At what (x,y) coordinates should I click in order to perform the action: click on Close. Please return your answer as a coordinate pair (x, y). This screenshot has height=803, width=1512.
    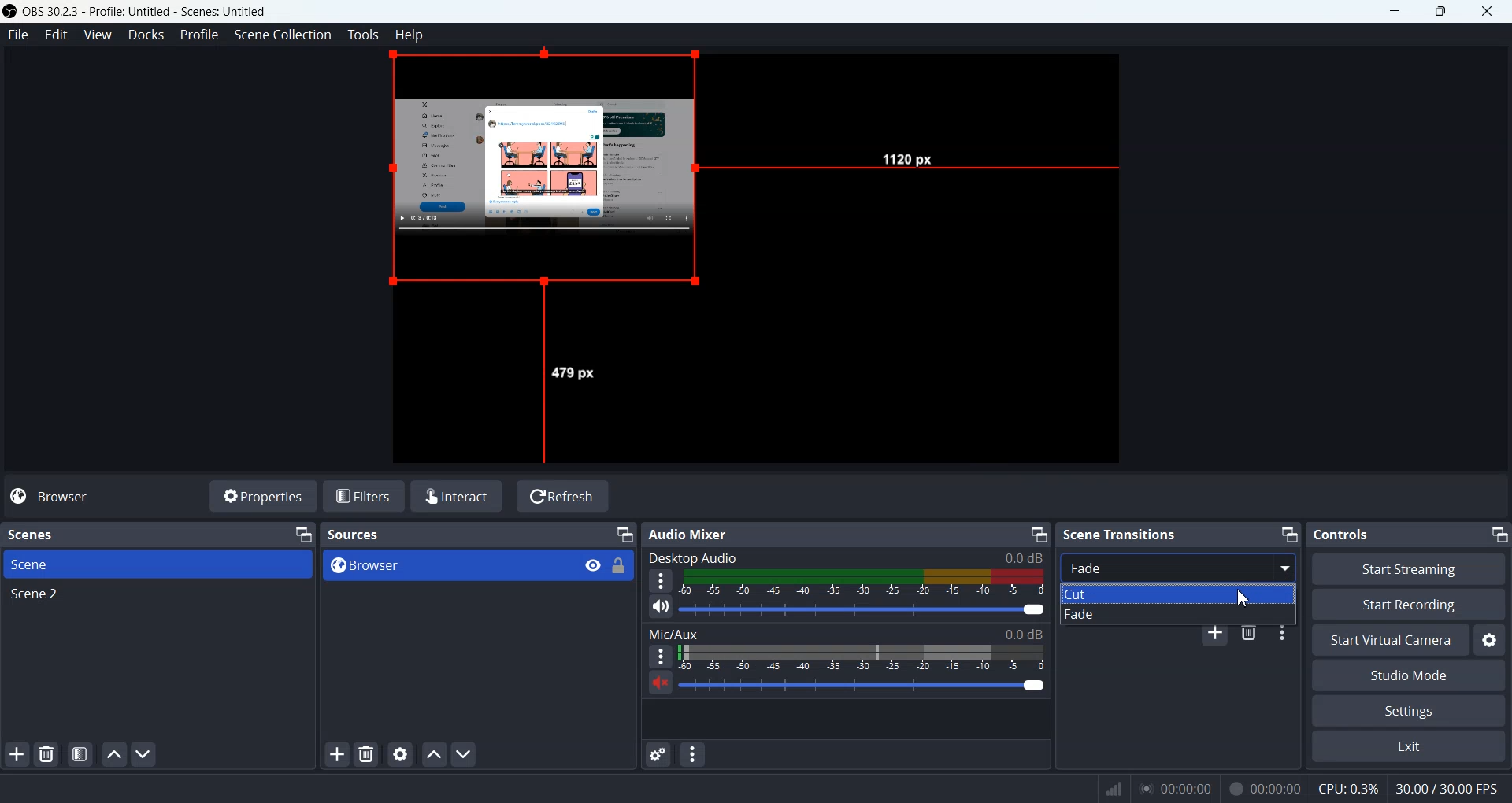
    Looking at the image, I should click on (1485, 11).